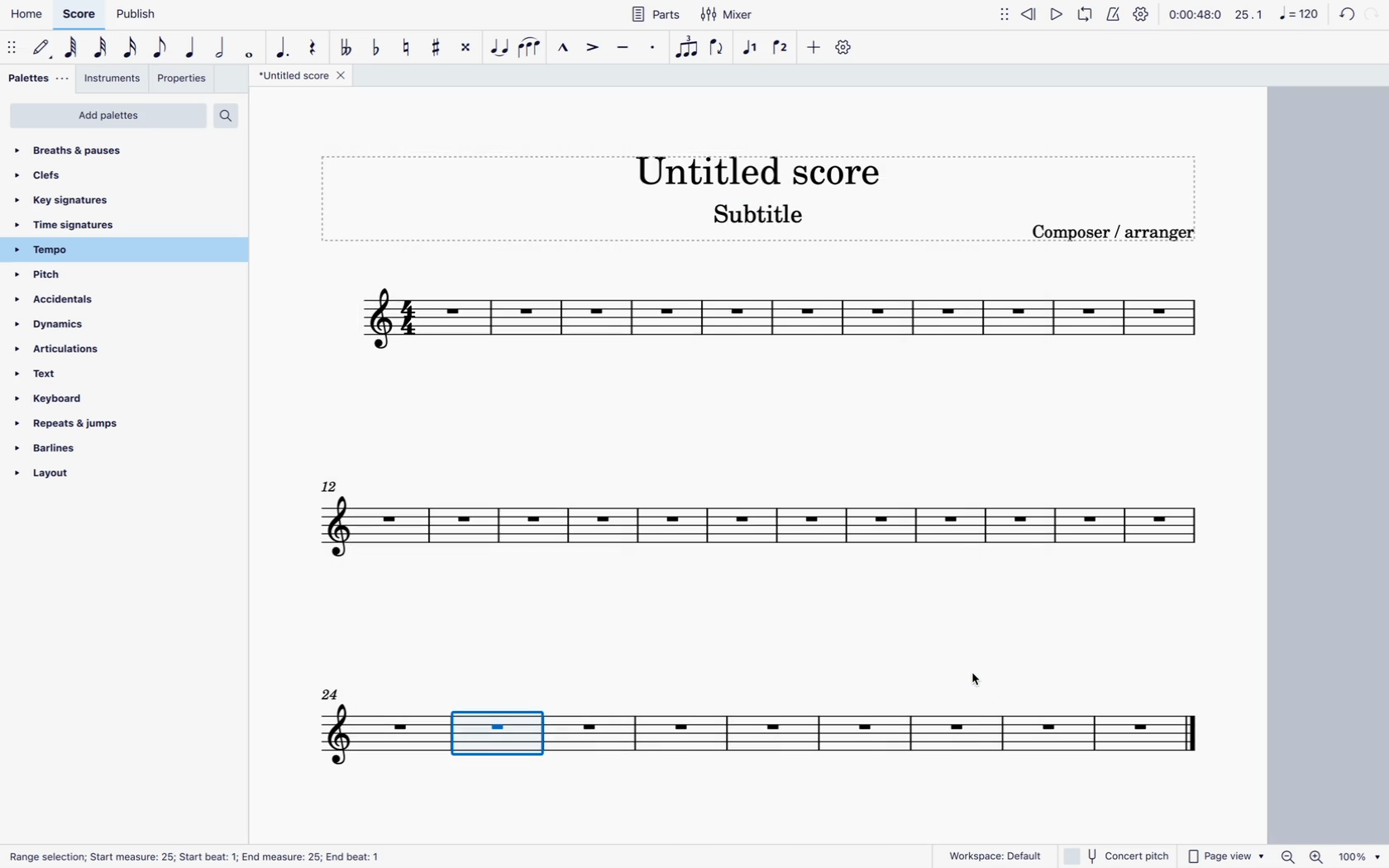 Image resolution: width=1389 pixels, height=868 pixels. What do you see at coordinates (978, 675) in the screenshot?
I see `Cursor` at bounding box center [978, 675].